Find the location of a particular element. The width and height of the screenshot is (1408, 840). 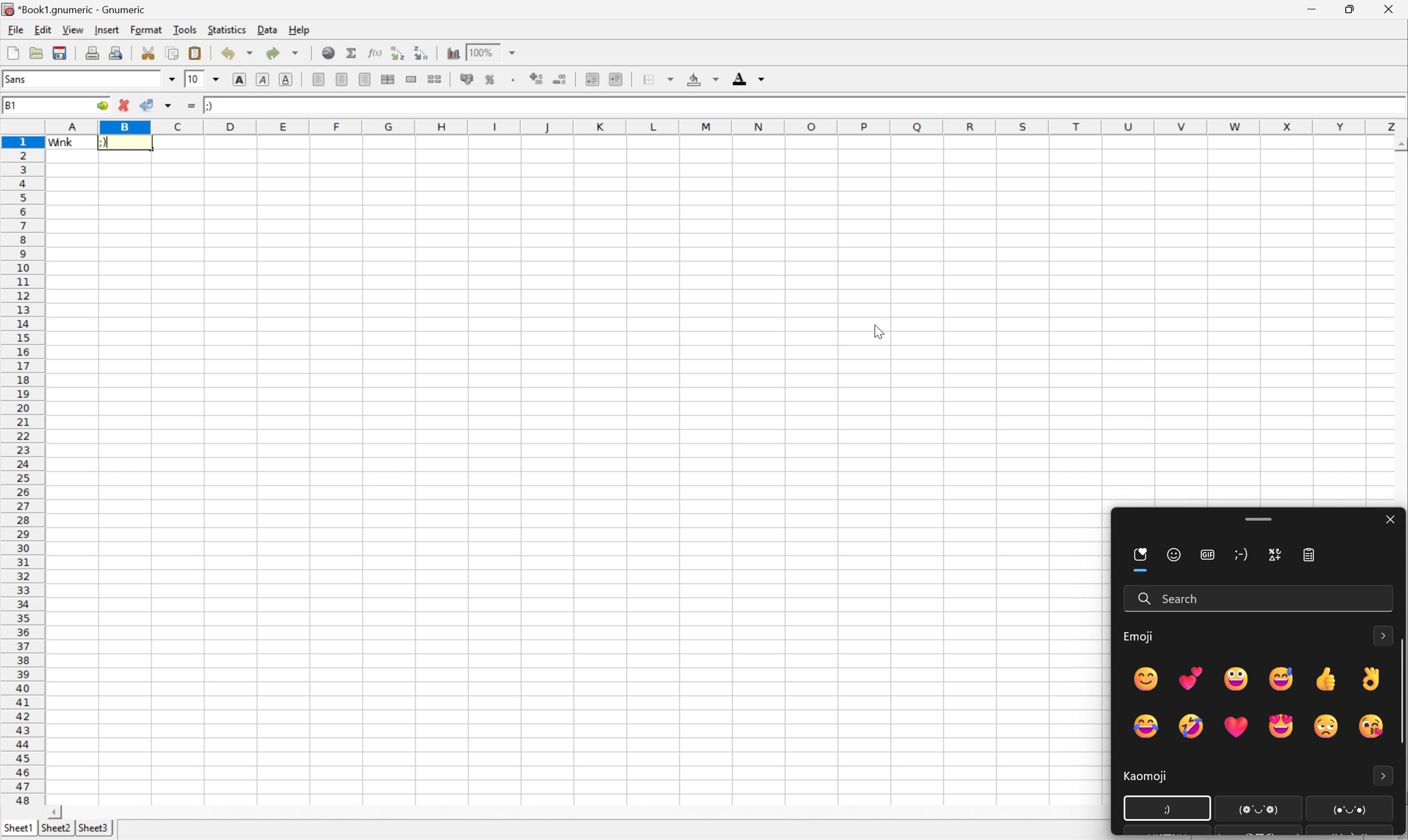

decrease indent is located at coordinates (592, 79).